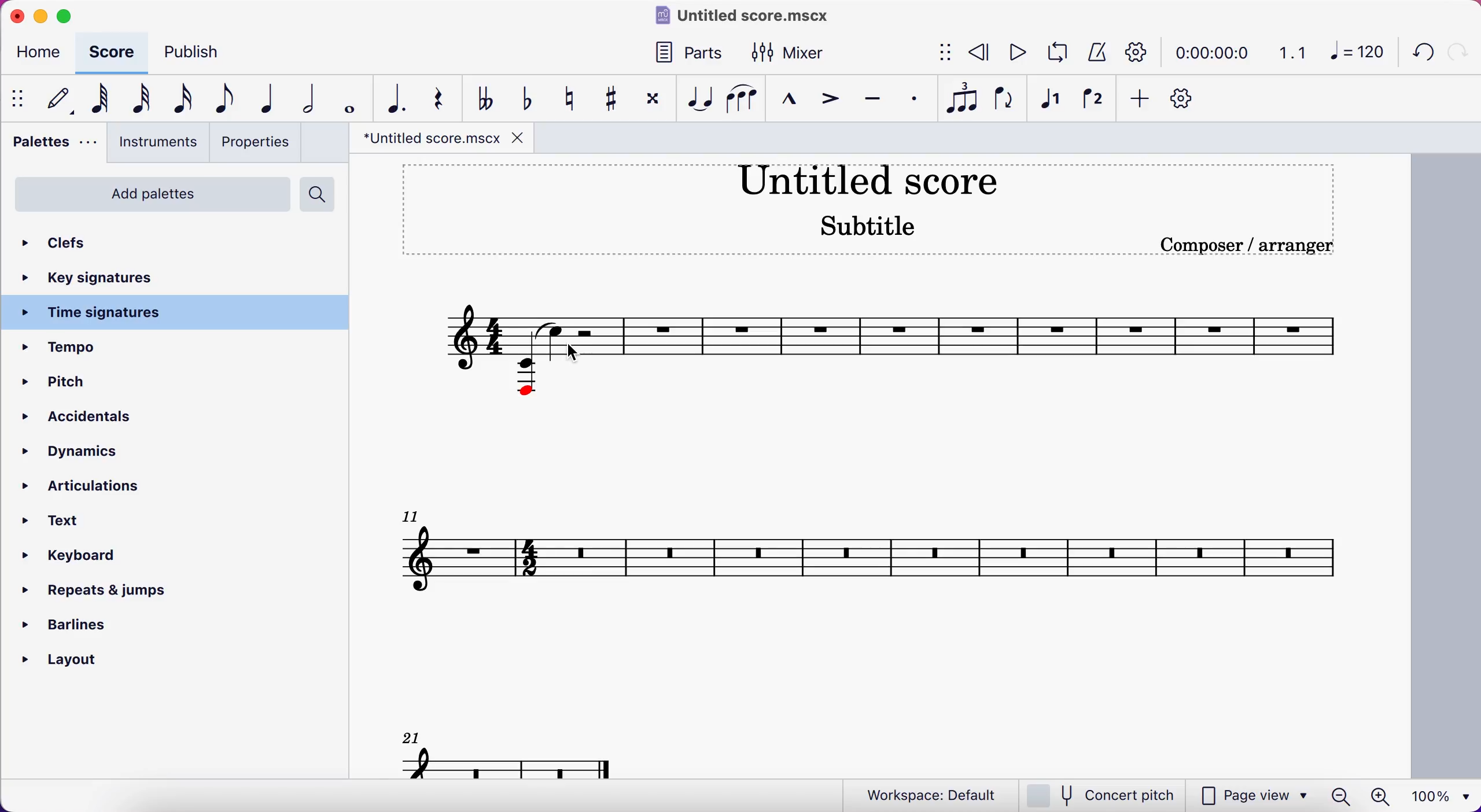  Describe the element at coordinates (697, 99) in the screenshot. I see `tie` at that location.